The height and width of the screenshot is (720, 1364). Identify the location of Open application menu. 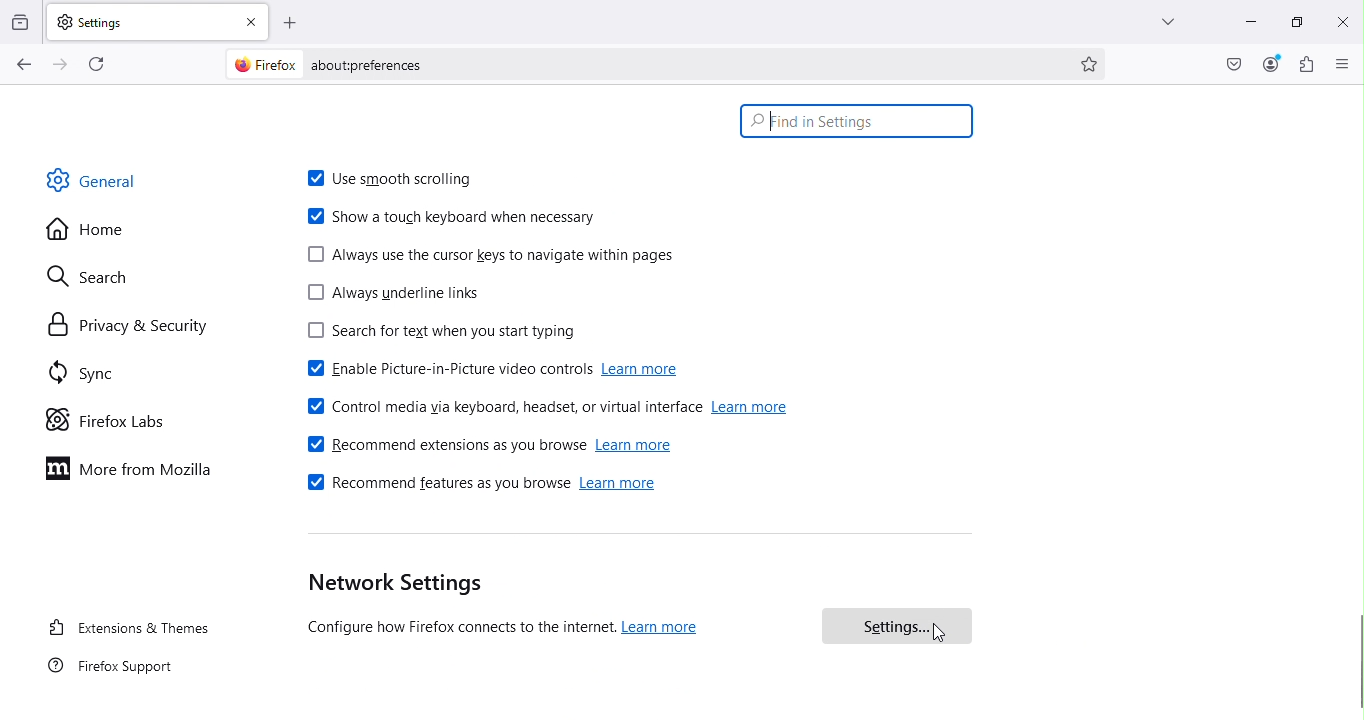
(1343, 63).